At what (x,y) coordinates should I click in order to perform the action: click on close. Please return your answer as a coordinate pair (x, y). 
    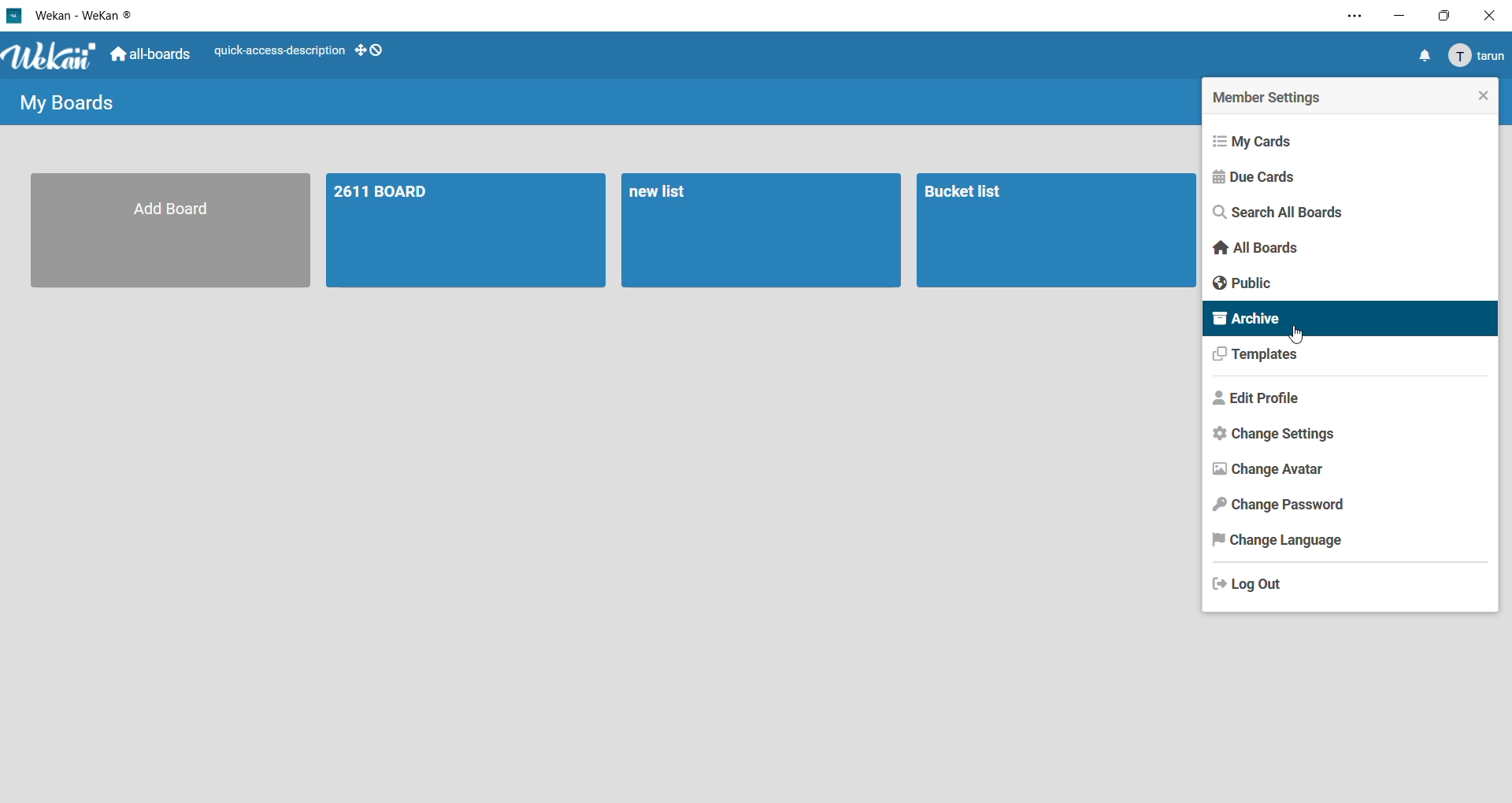
    Looking at the image, I should click on (1477, 94).